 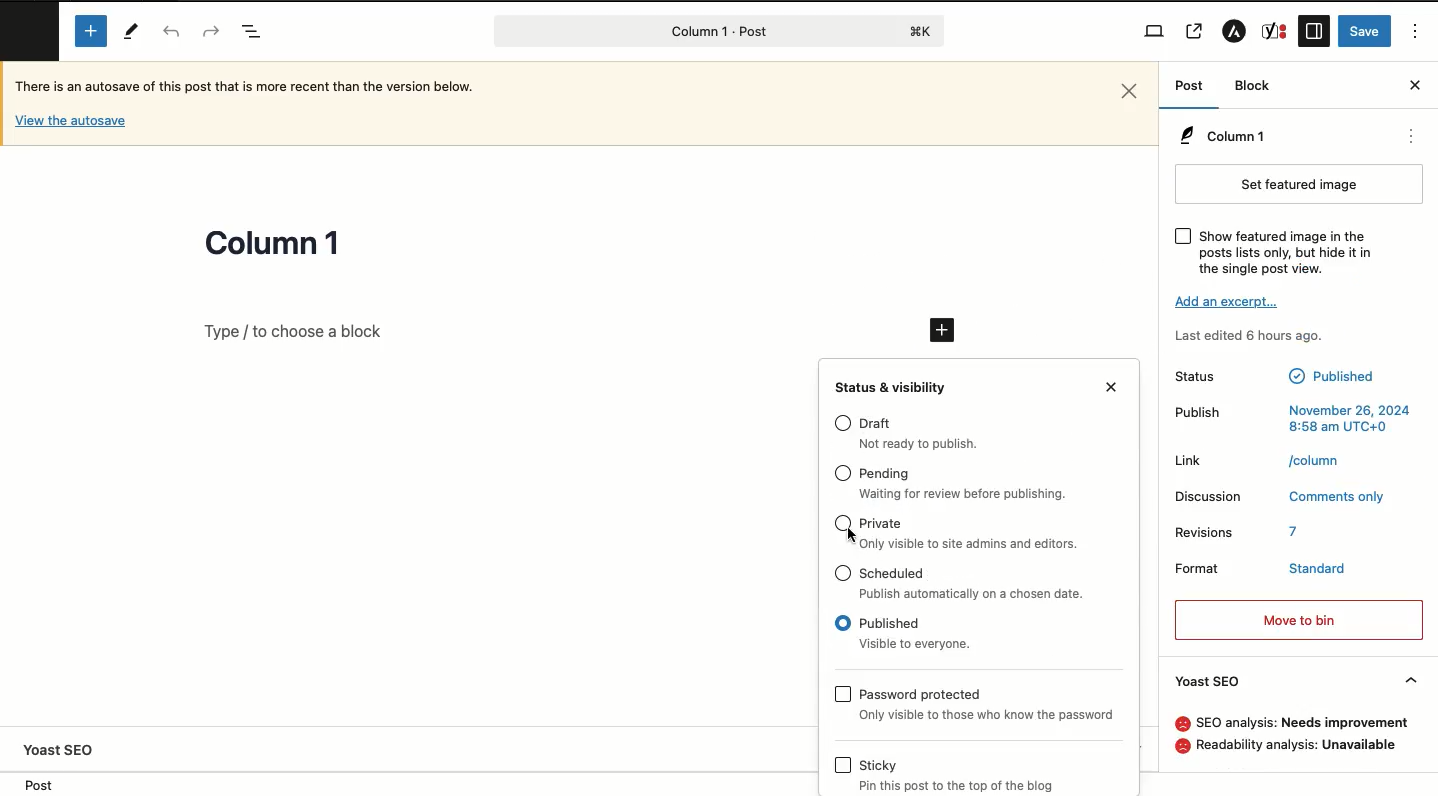 What do you see at coordinates (922, 31) in the screenshot?
I see `command+K` at bounding box center [922, 31].